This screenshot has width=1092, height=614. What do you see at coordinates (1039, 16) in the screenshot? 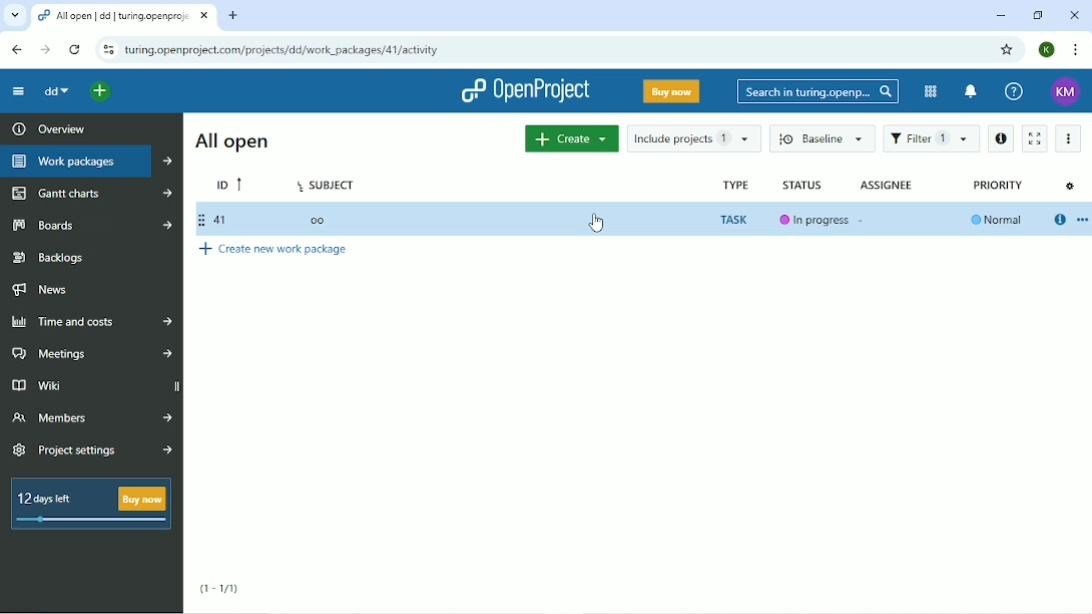
I see `Restore down` at bounding box center [1039, 16].